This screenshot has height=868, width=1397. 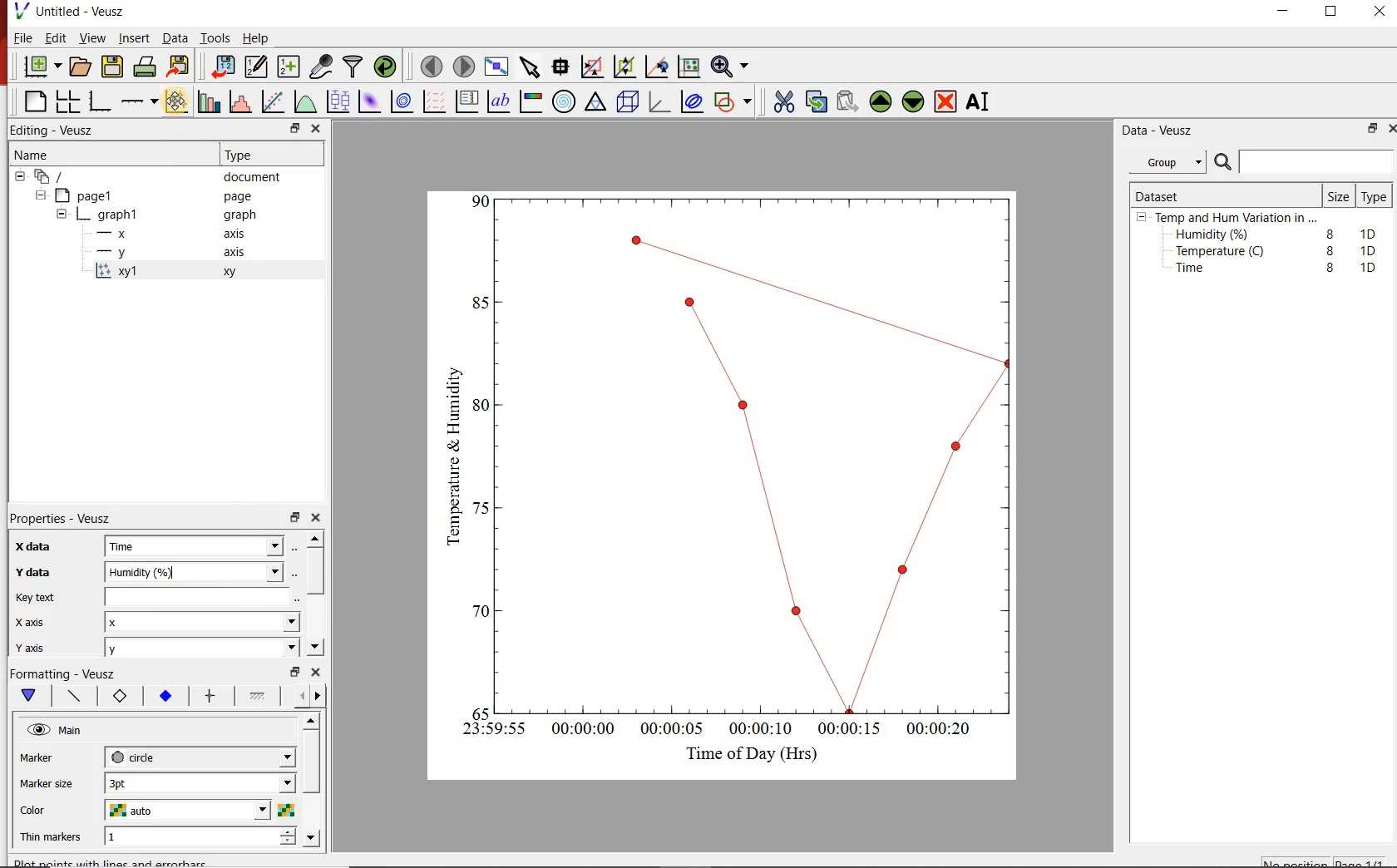 I want to click on axis, so click(x=238, y=254).